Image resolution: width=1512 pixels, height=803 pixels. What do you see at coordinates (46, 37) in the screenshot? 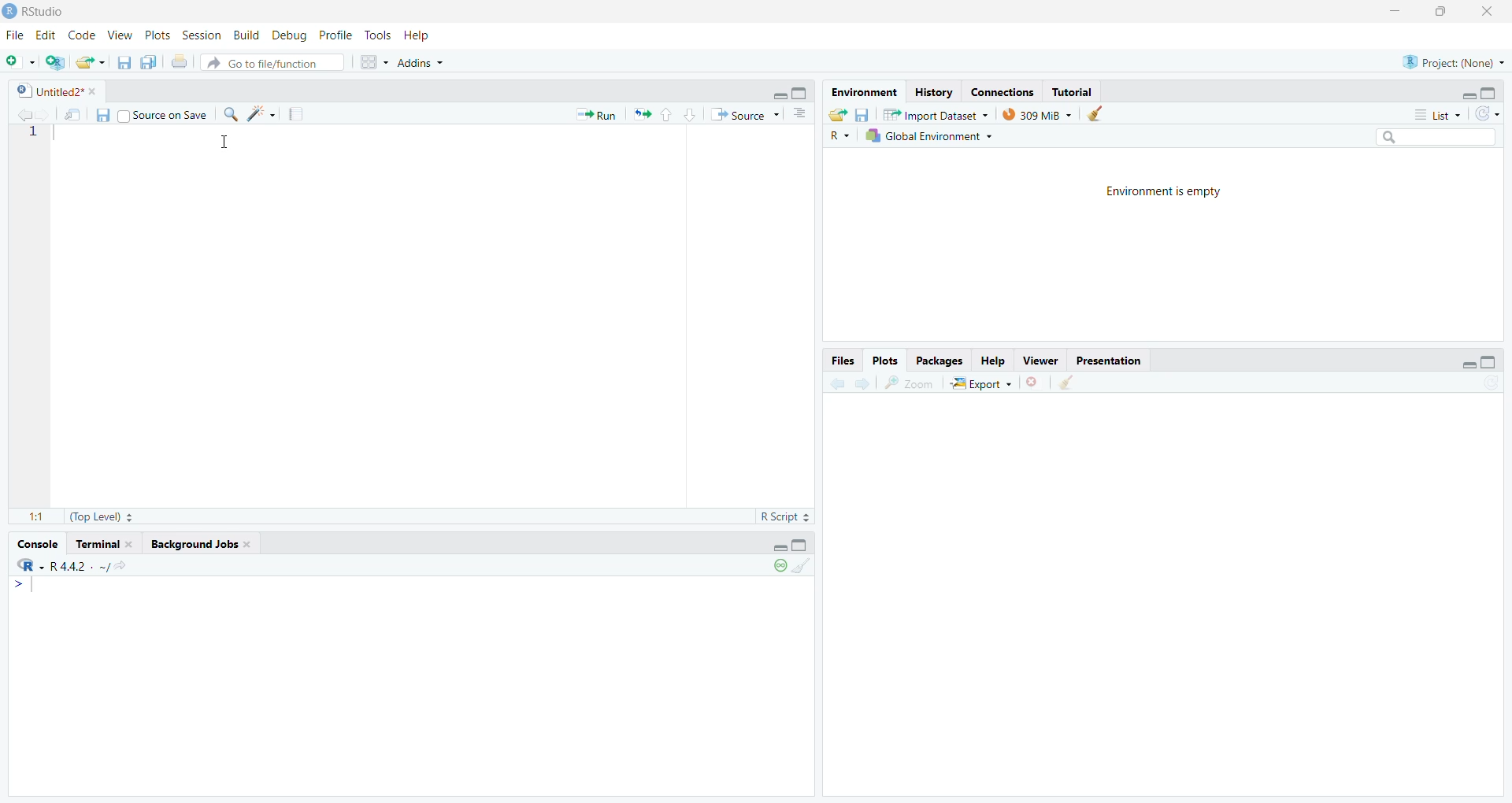
I see `Edit` at bounding box center [46, 37].